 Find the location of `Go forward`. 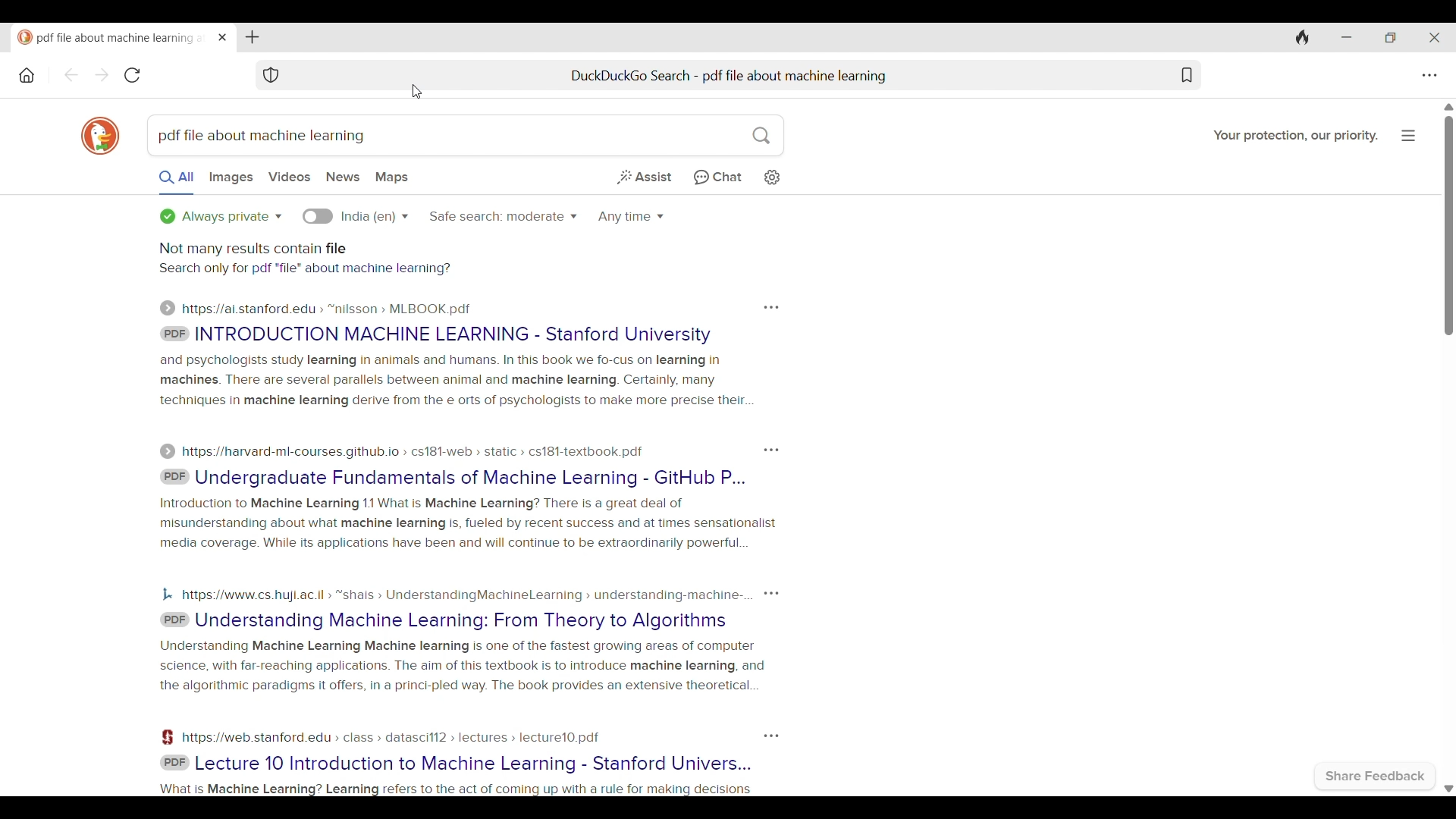

Go forward is located at coordinates (102, 75).